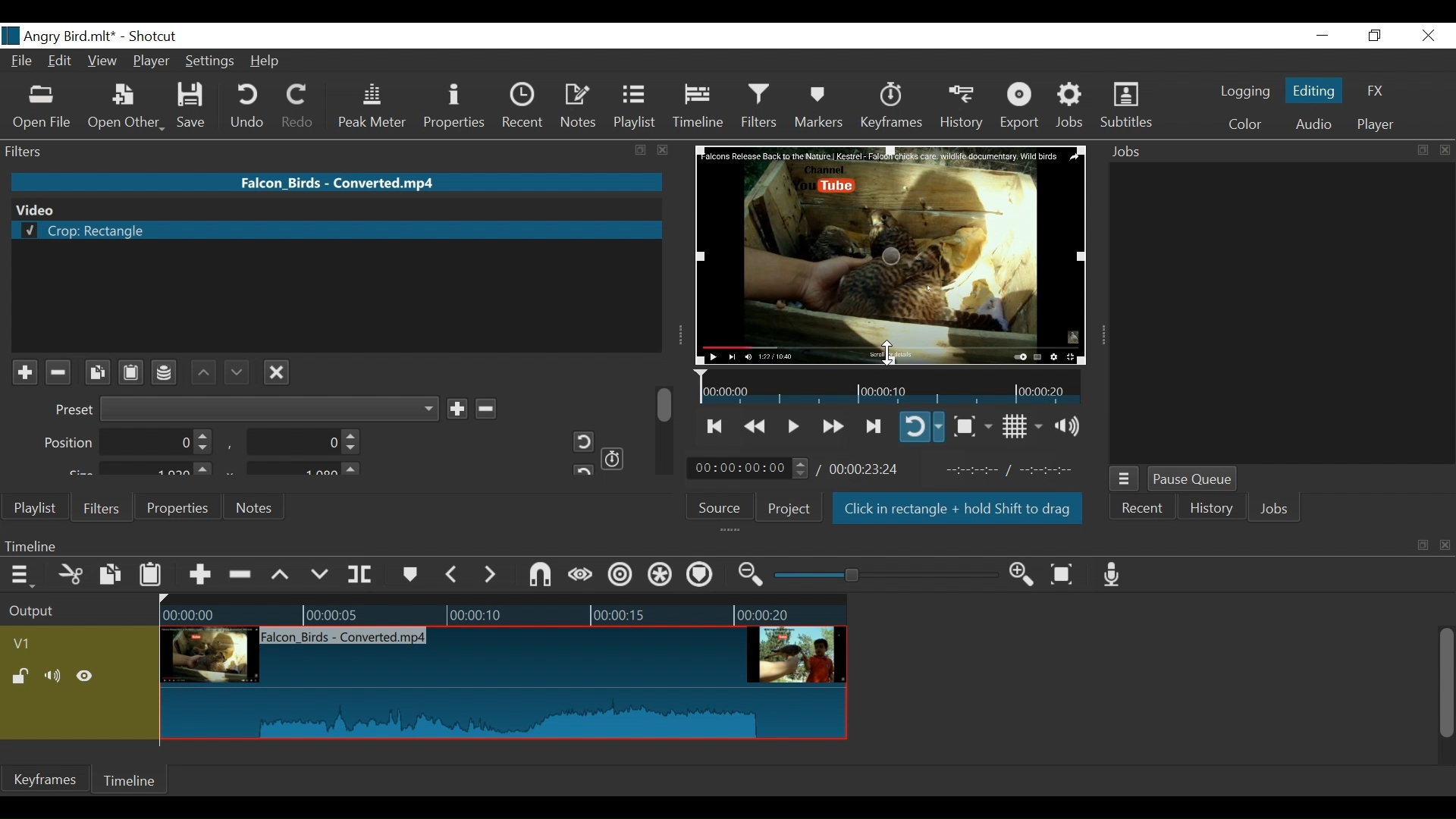  Describe the element at coordinates (277, 370) in the screenshot. I see `Close` at that location.